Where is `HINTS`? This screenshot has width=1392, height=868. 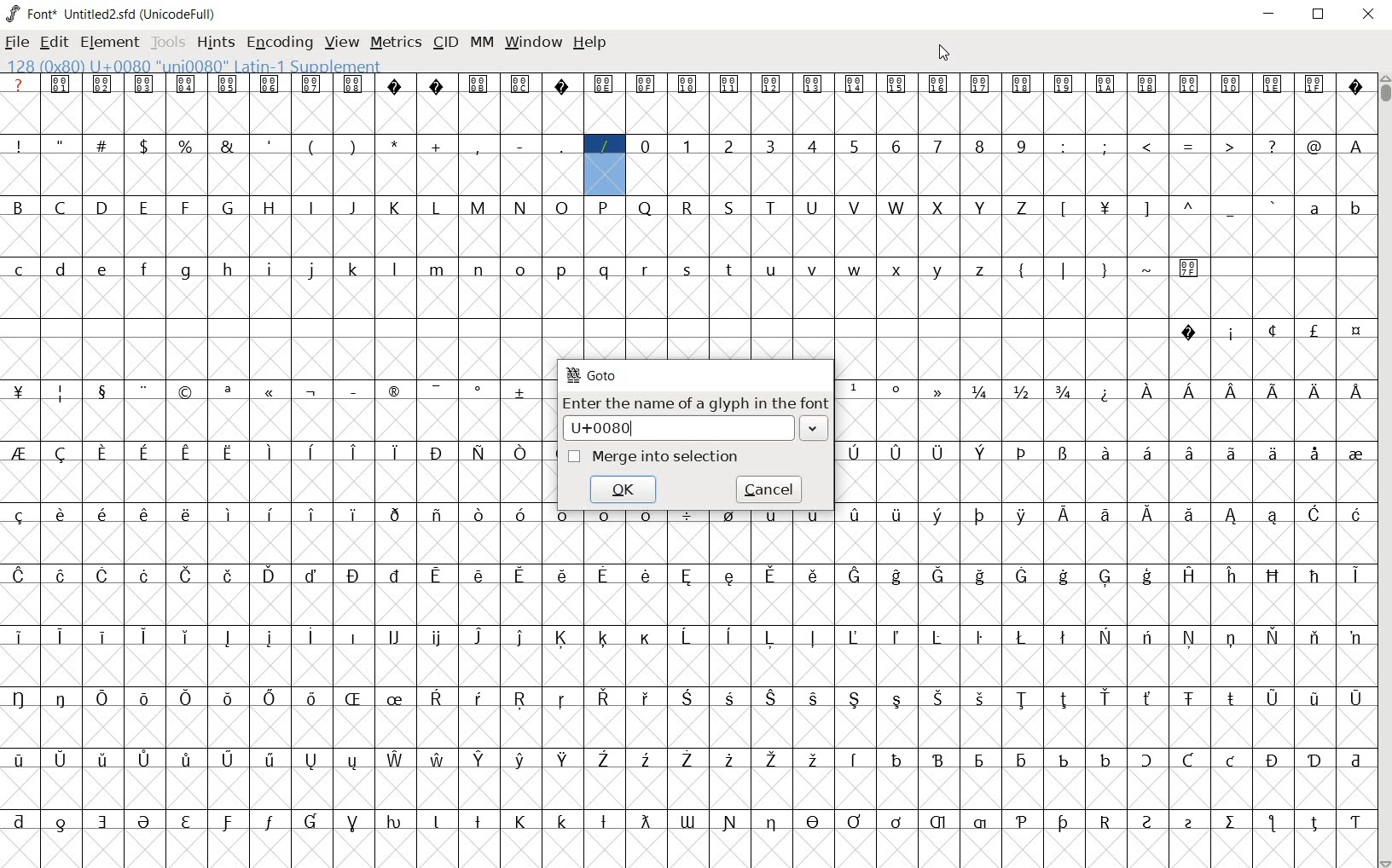 HINTS is located at coordinates (214, 42).